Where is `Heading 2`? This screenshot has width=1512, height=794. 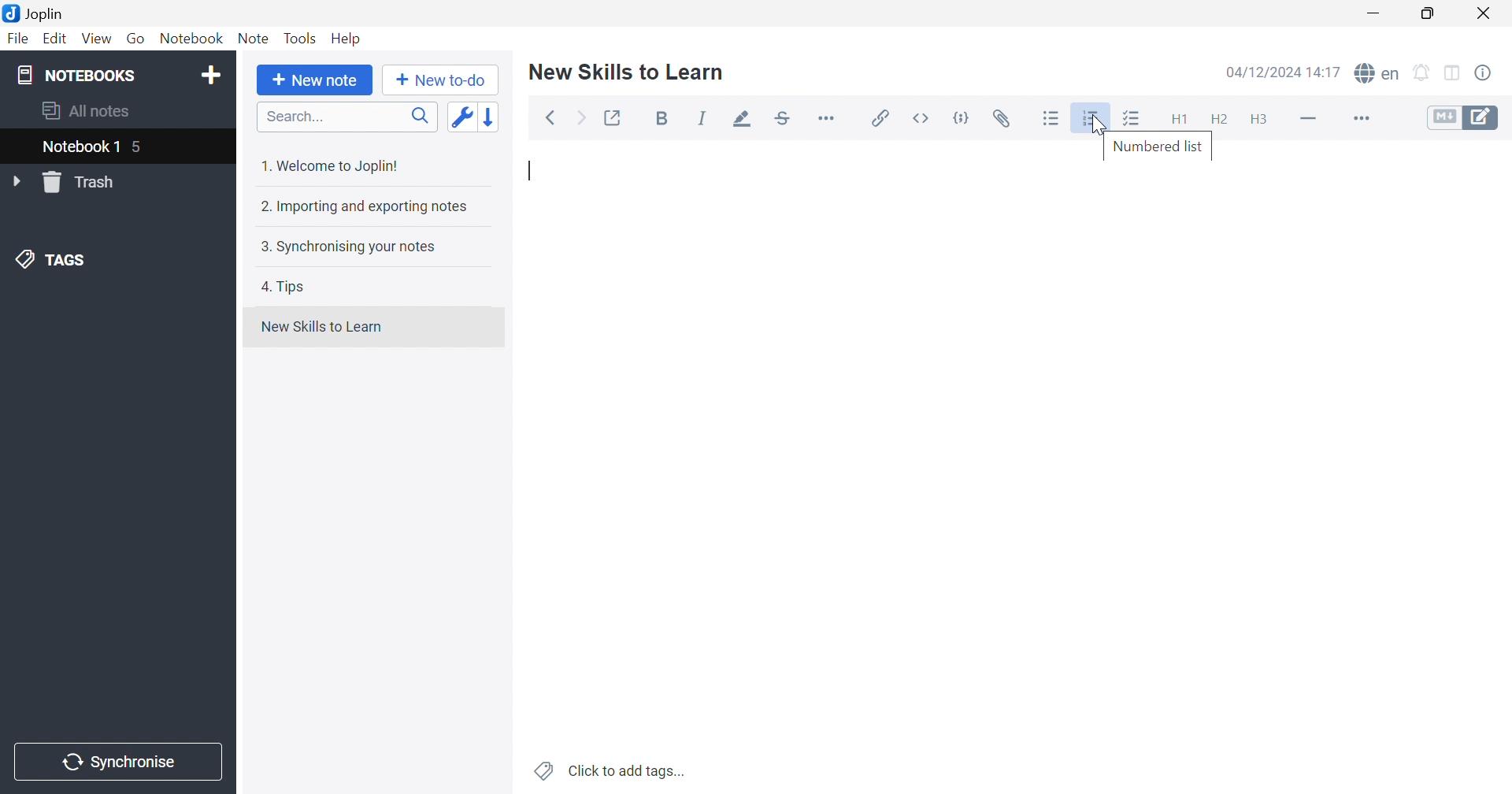 Heading 2 is located at coordinates (1219, 120).